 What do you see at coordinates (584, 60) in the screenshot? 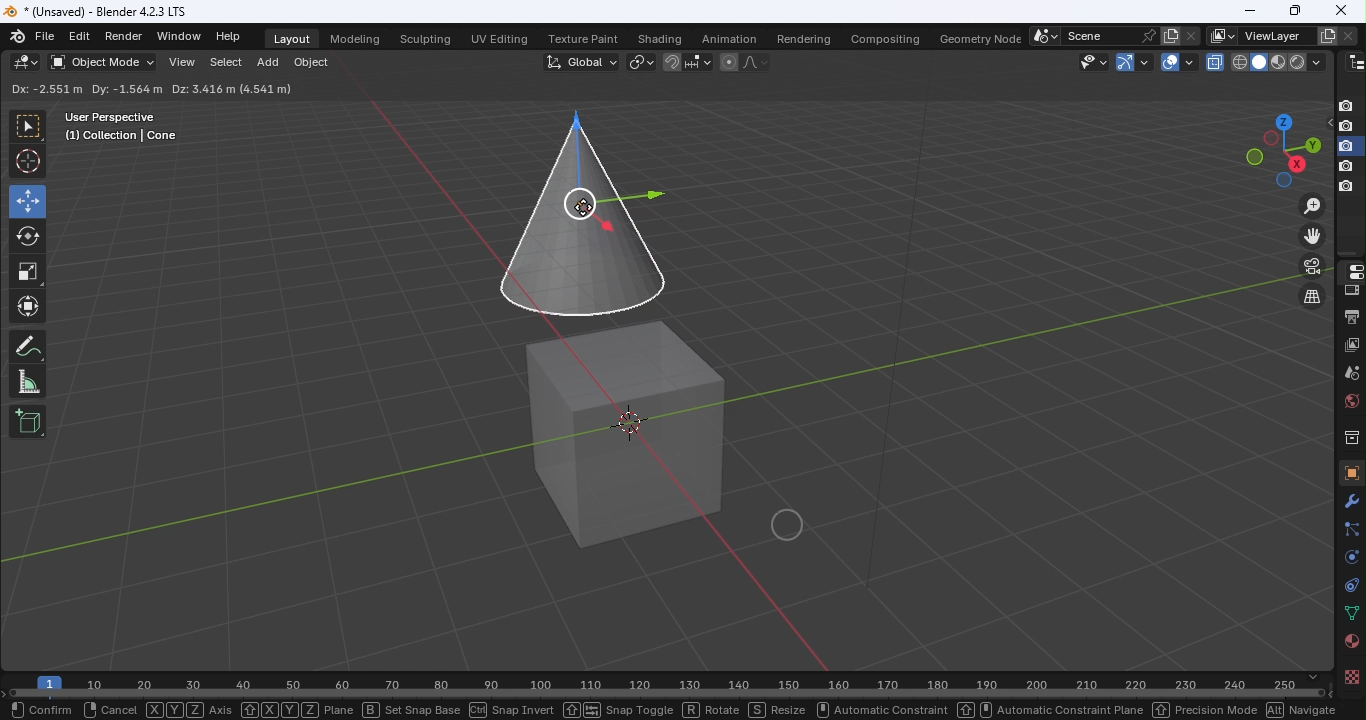
I see `Transformation orientation` at bounding box center [584, 60].